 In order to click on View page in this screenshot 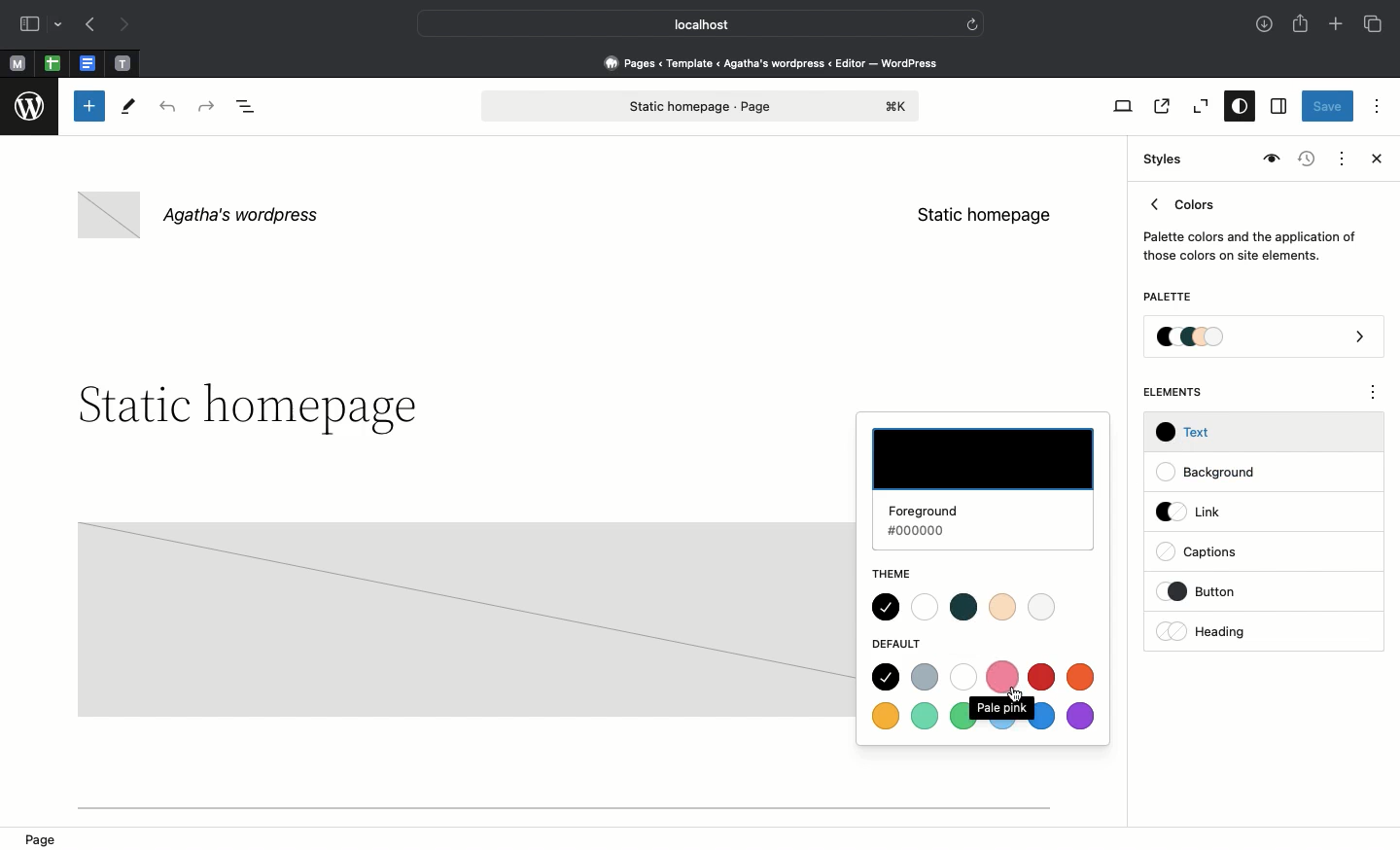, I will do `click(1160, 106)`.